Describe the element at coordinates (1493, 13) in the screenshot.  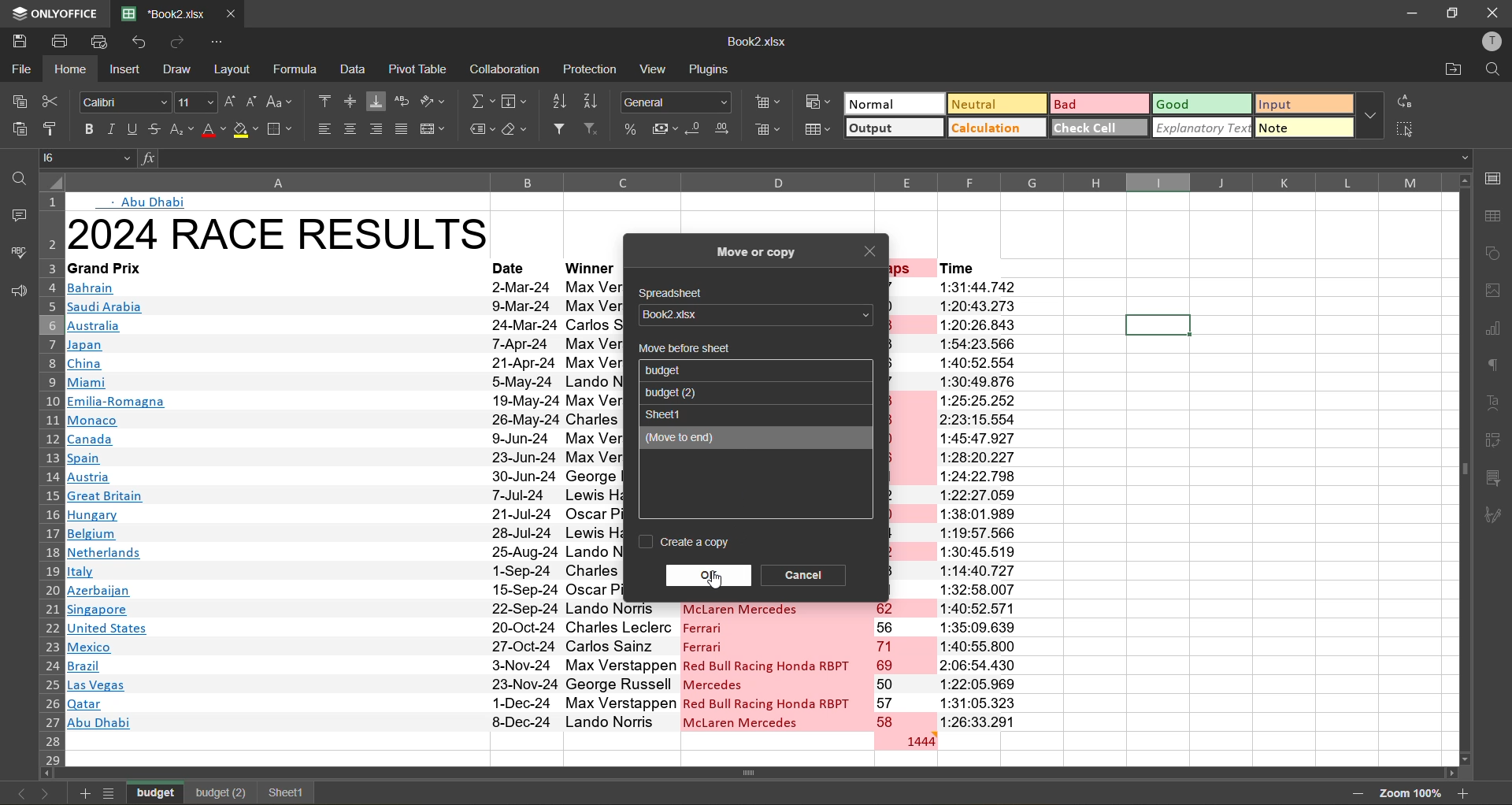
I see `close` at that location.